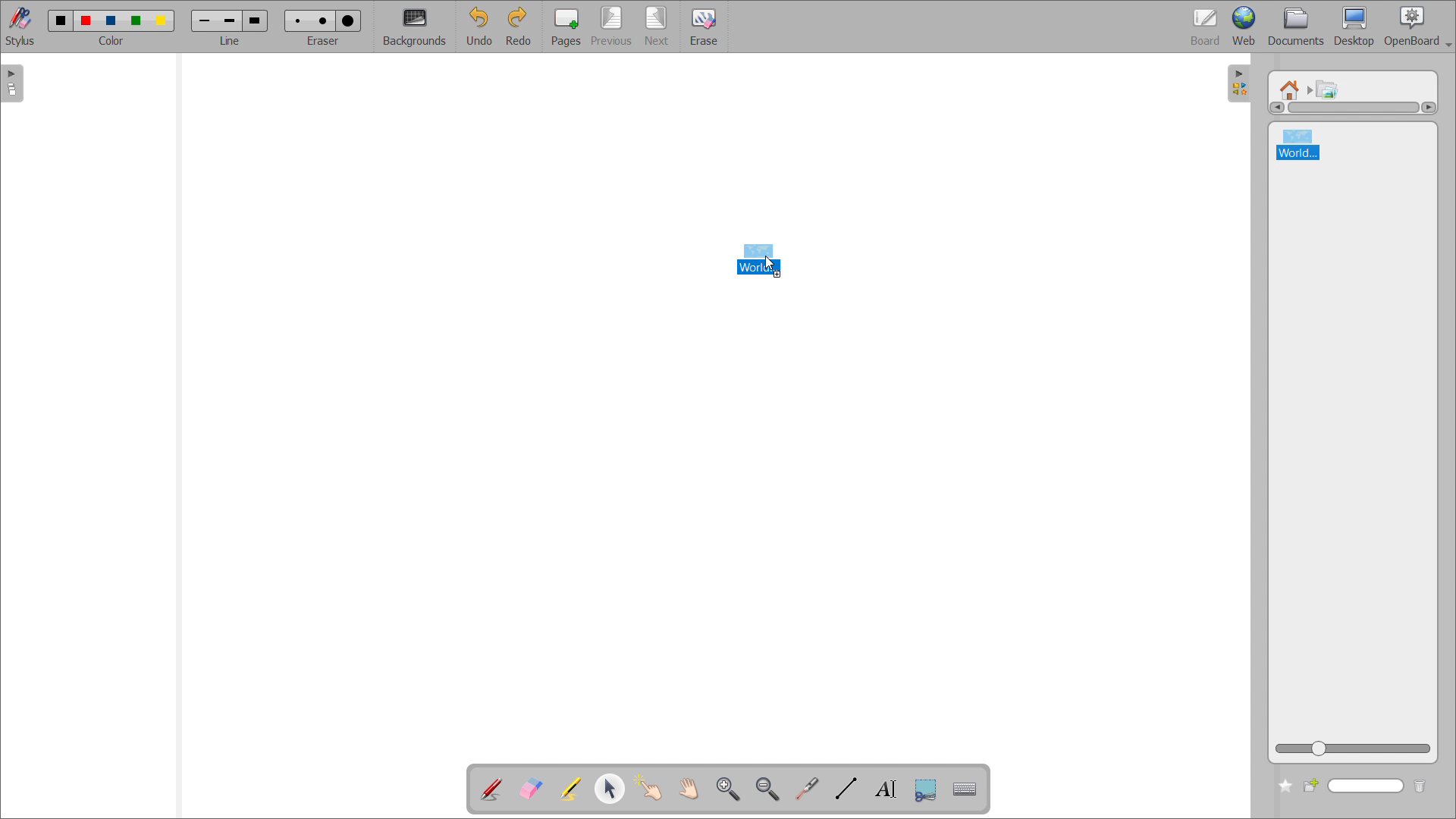 The width and height of the screenshot is (1456, 819). I want to click on world, so click(1297, 143).